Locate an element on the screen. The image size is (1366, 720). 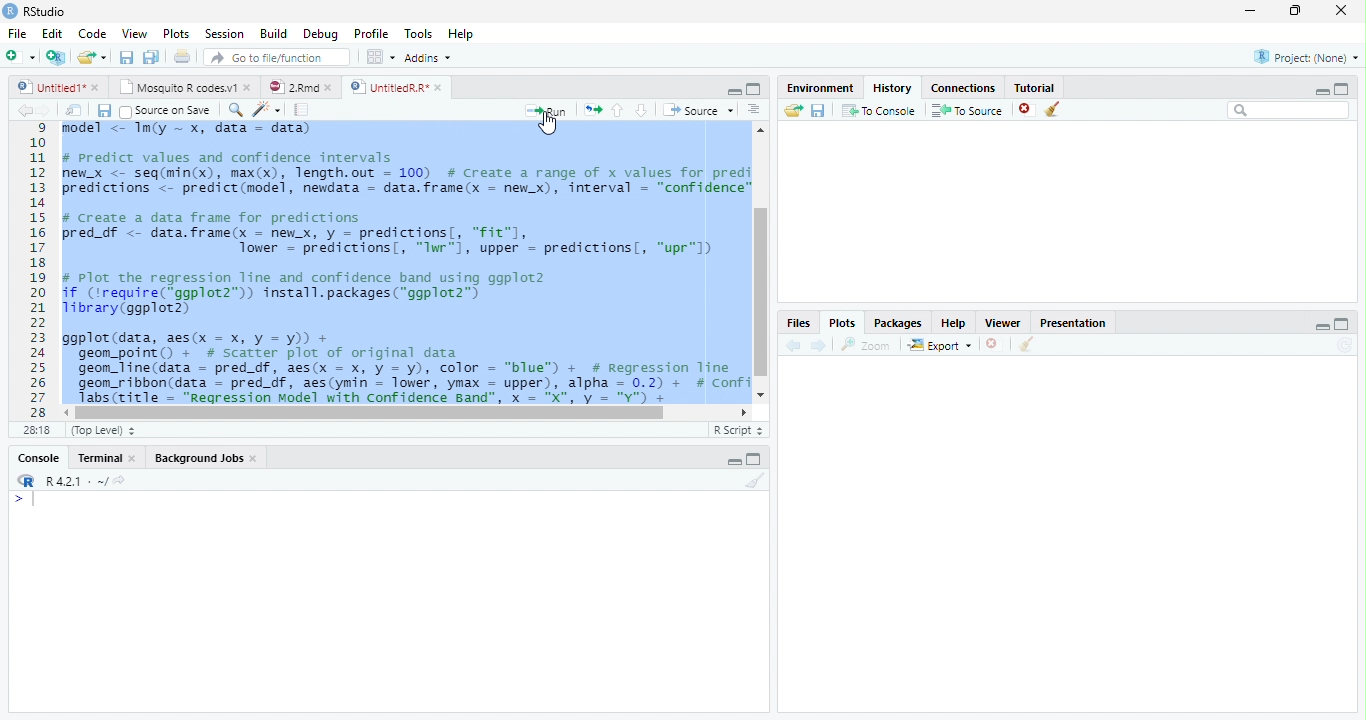
Move pages is located at coordinates (590, 109).